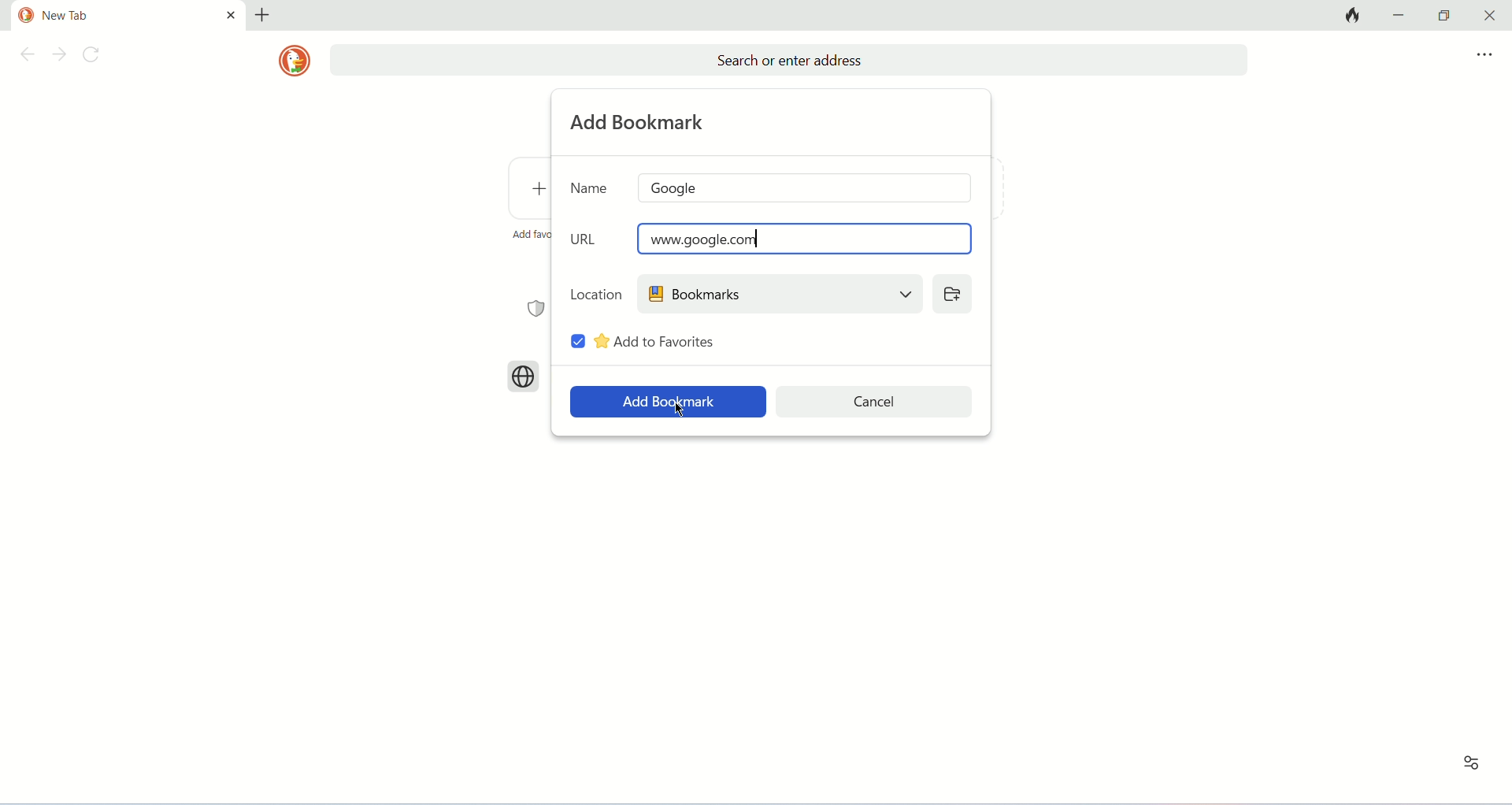  Describe the element at coordinates (788, 61) in the screenshot. I see `search or enter address` at that location.